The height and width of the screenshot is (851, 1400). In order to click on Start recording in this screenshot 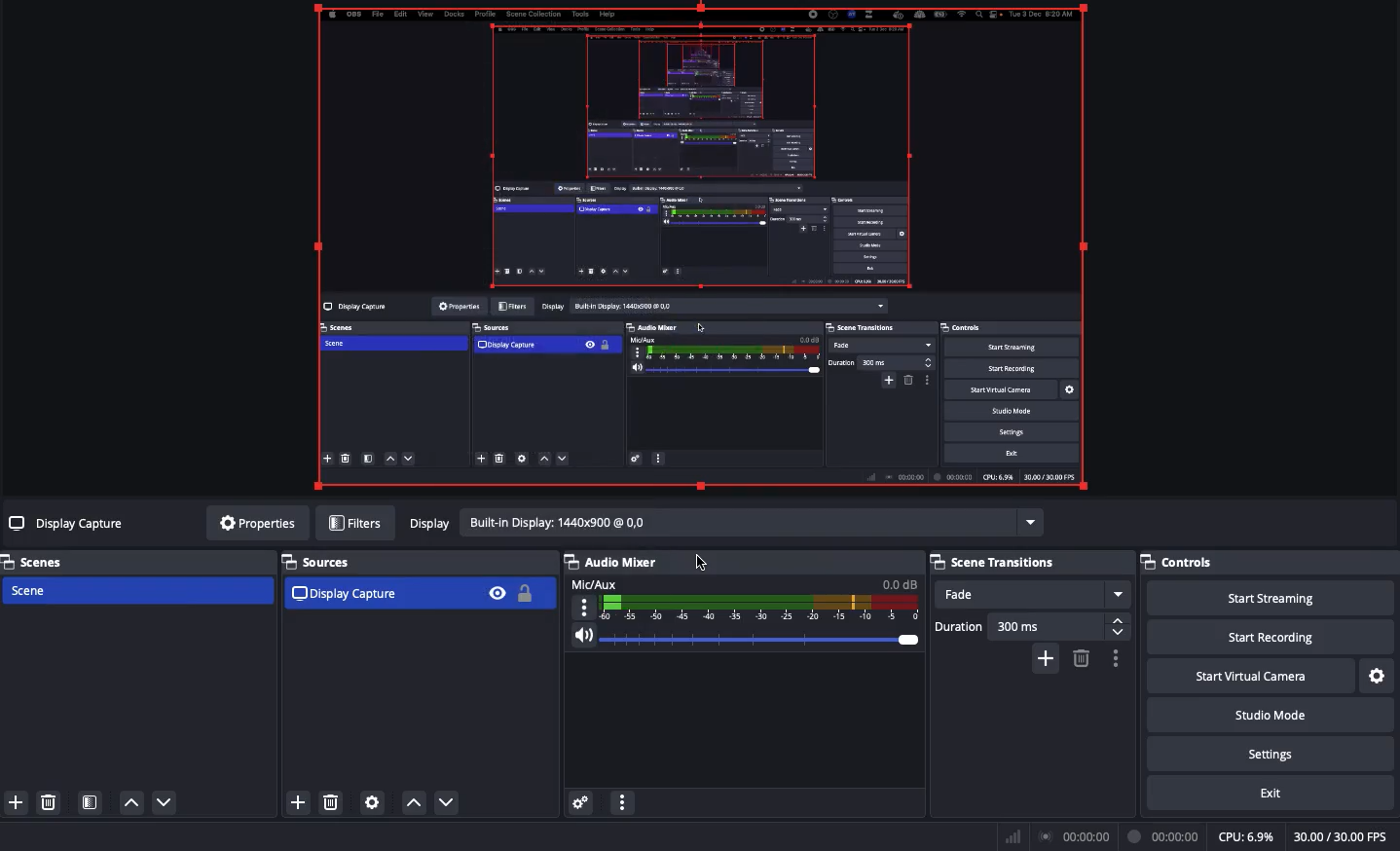, I will do `click(1269, 640)`.